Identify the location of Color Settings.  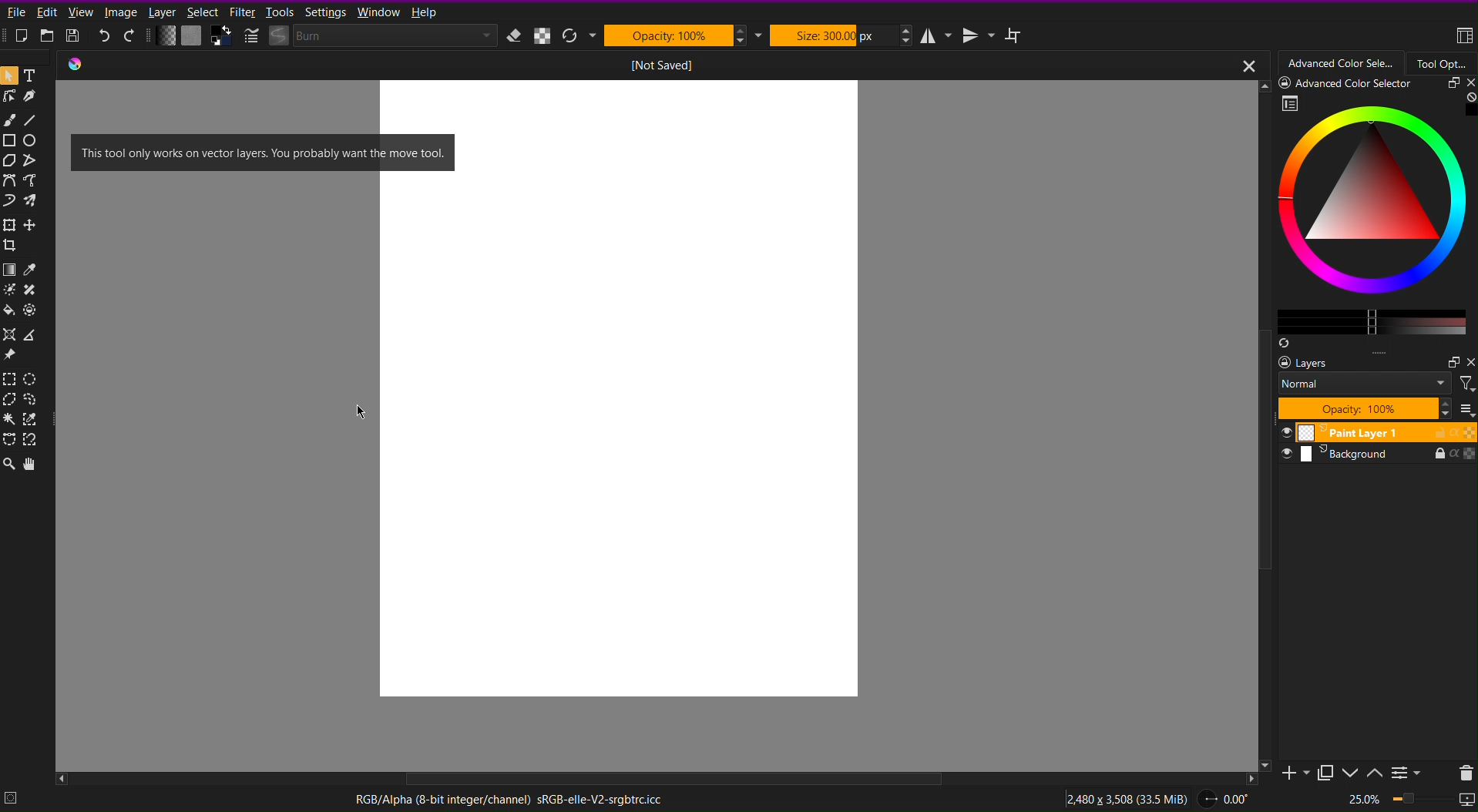
(193, 37).